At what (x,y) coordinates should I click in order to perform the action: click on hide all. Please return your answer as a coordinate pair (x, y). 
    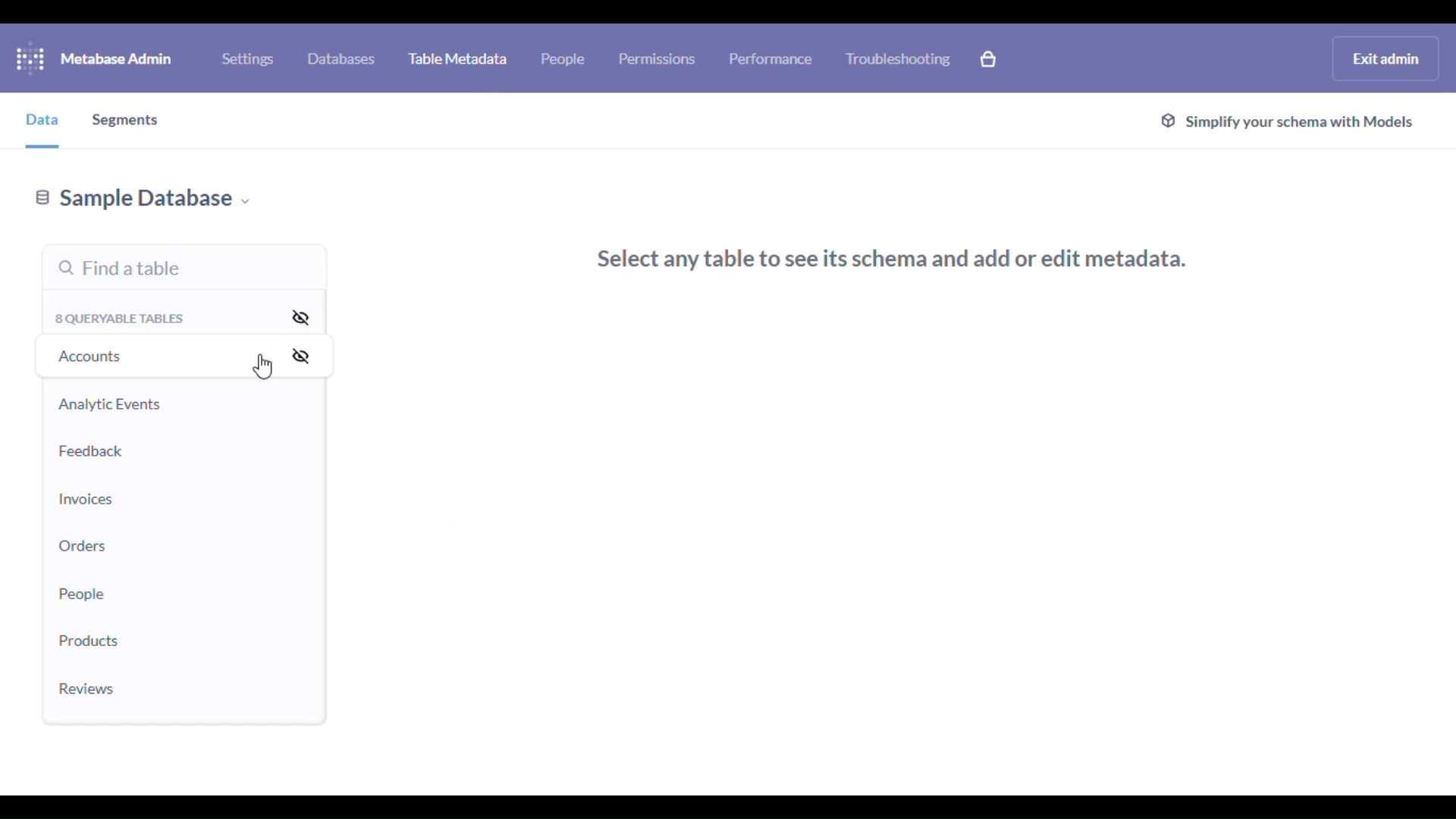
    Looking at the image, I should click on (302, 355).